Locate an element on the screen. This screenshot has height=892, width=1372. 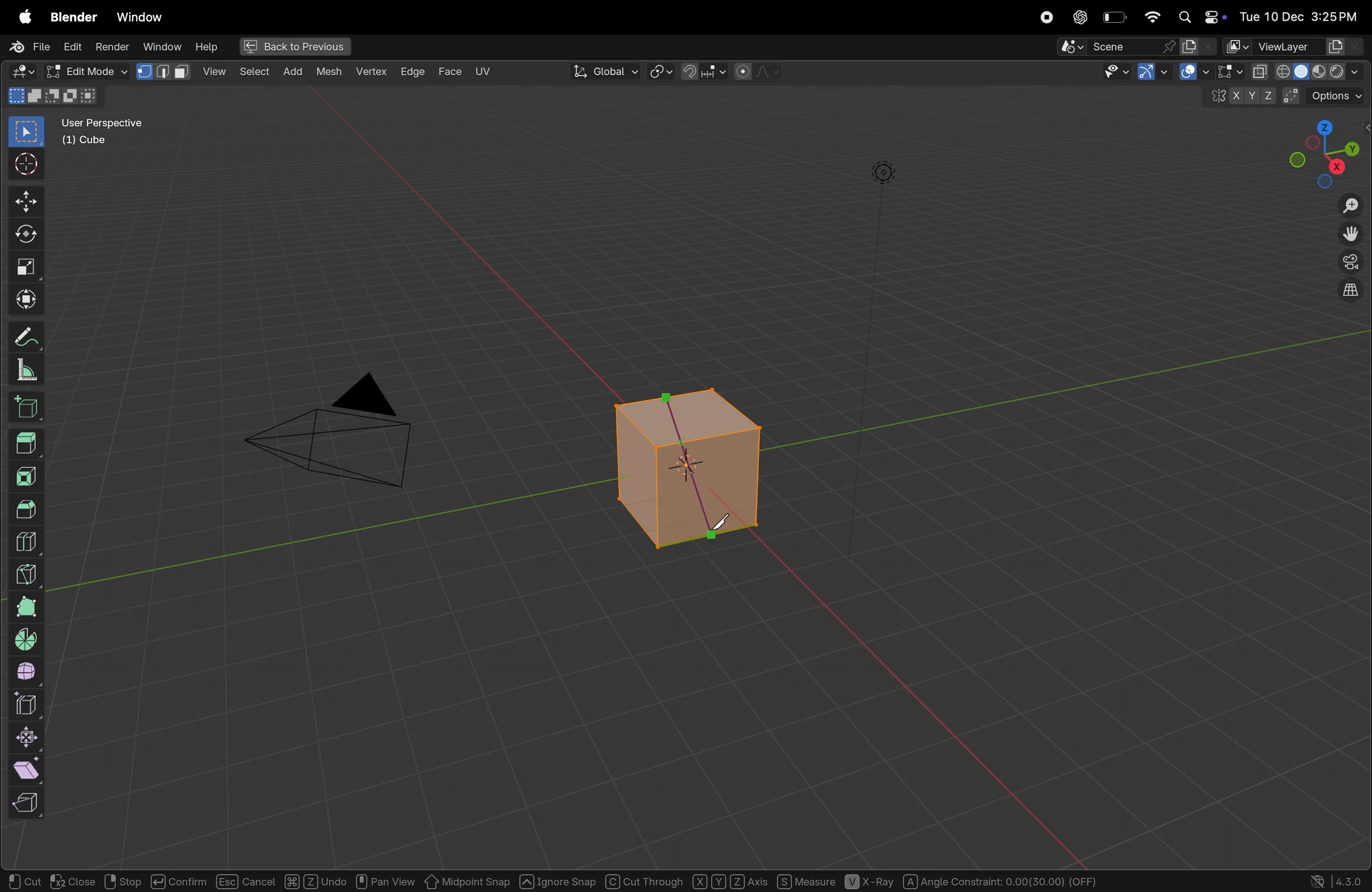
View point is located at coordinates (1326, 152).